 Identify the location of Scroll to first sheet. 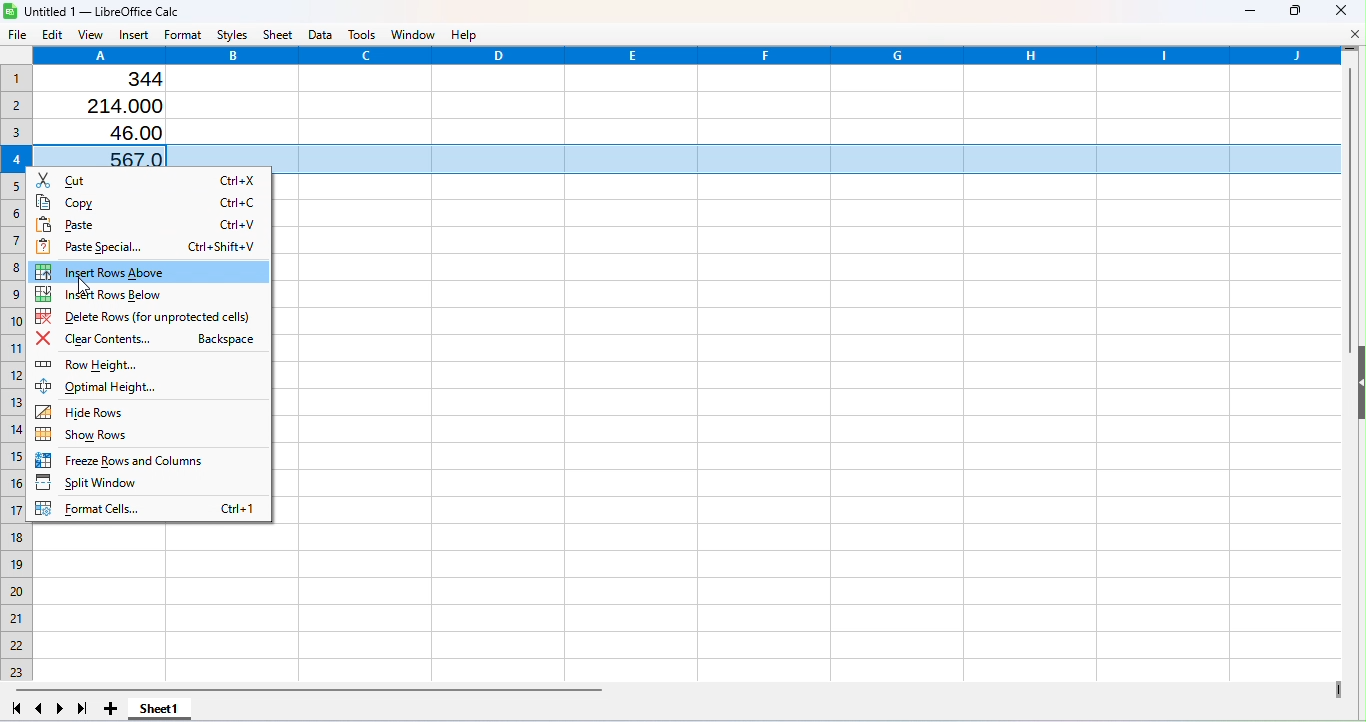
(14, 711).